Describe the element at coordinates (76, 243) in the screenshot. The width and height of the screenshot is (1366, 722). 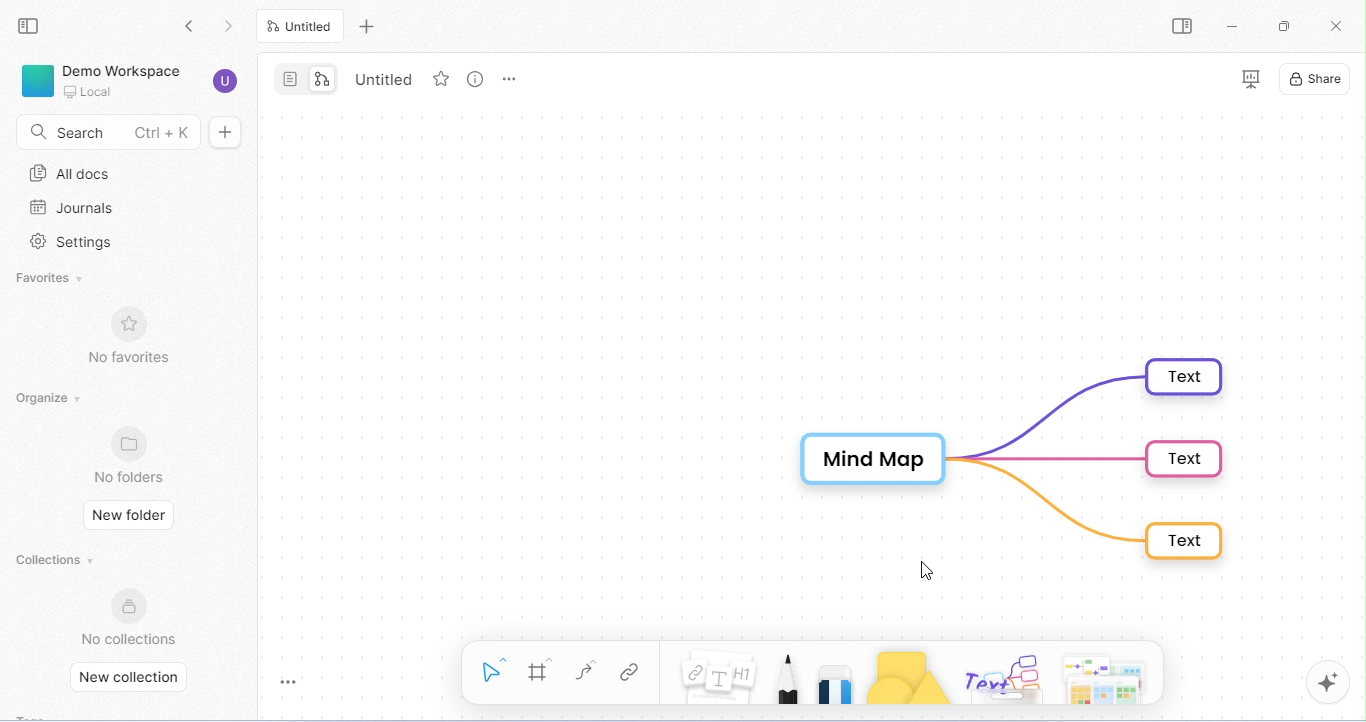
I see `settings` at that location.